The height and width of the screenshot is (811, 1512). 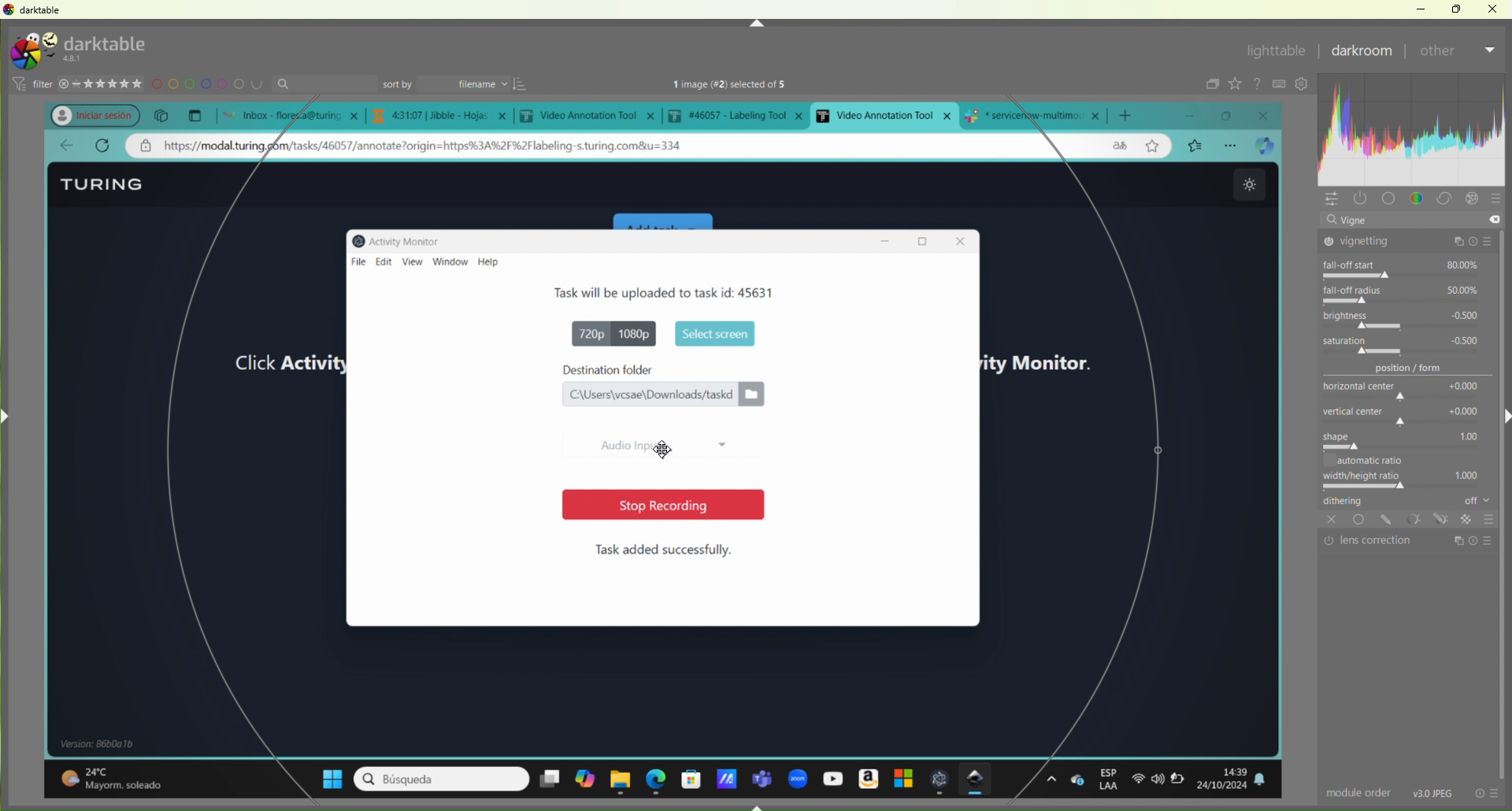 I want to click on file, so click(x=360, y=261).